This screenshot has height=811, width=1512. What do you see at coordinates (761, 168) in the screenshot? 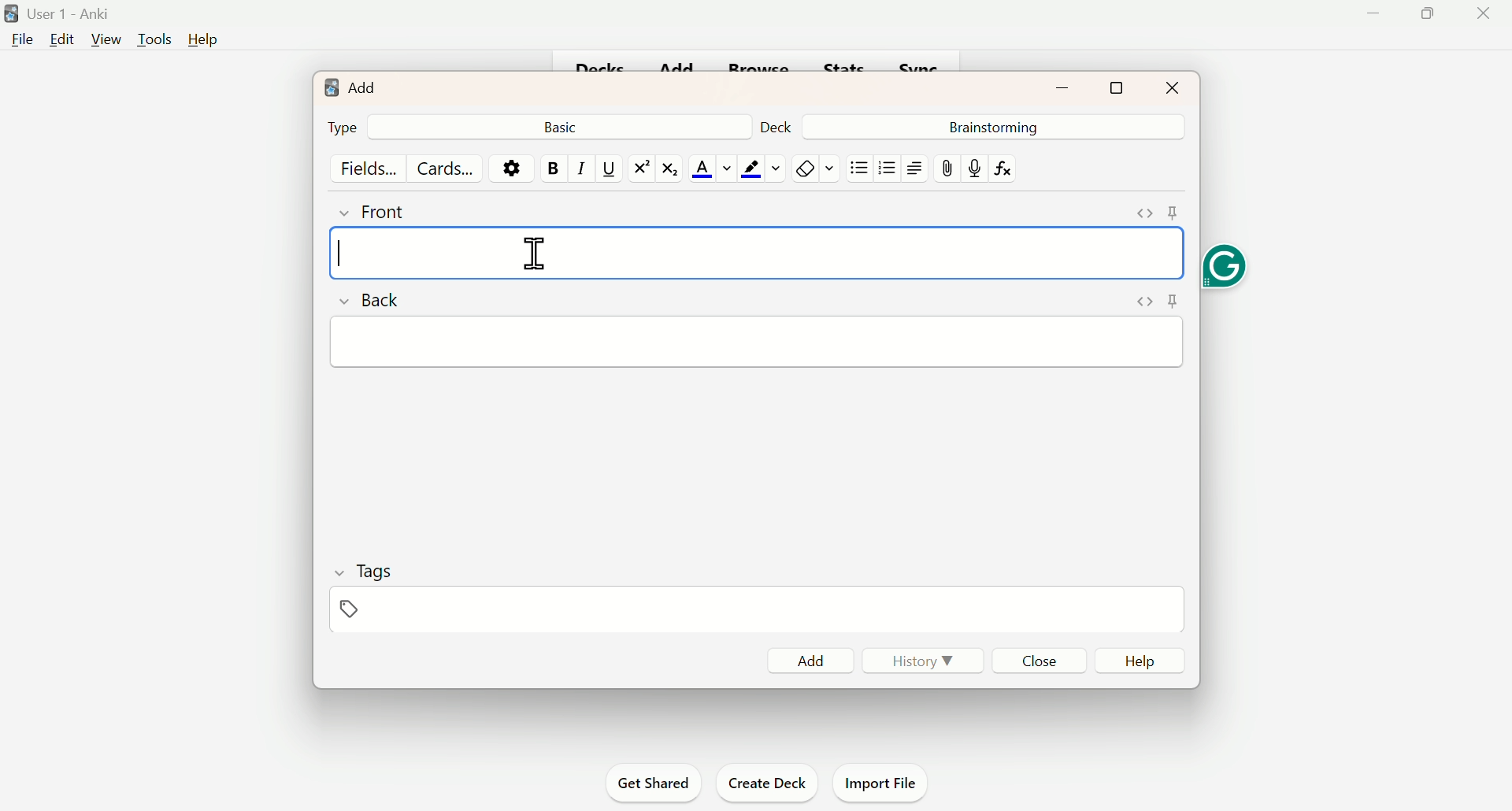
I see `Color` at bounding box center [761, 168].